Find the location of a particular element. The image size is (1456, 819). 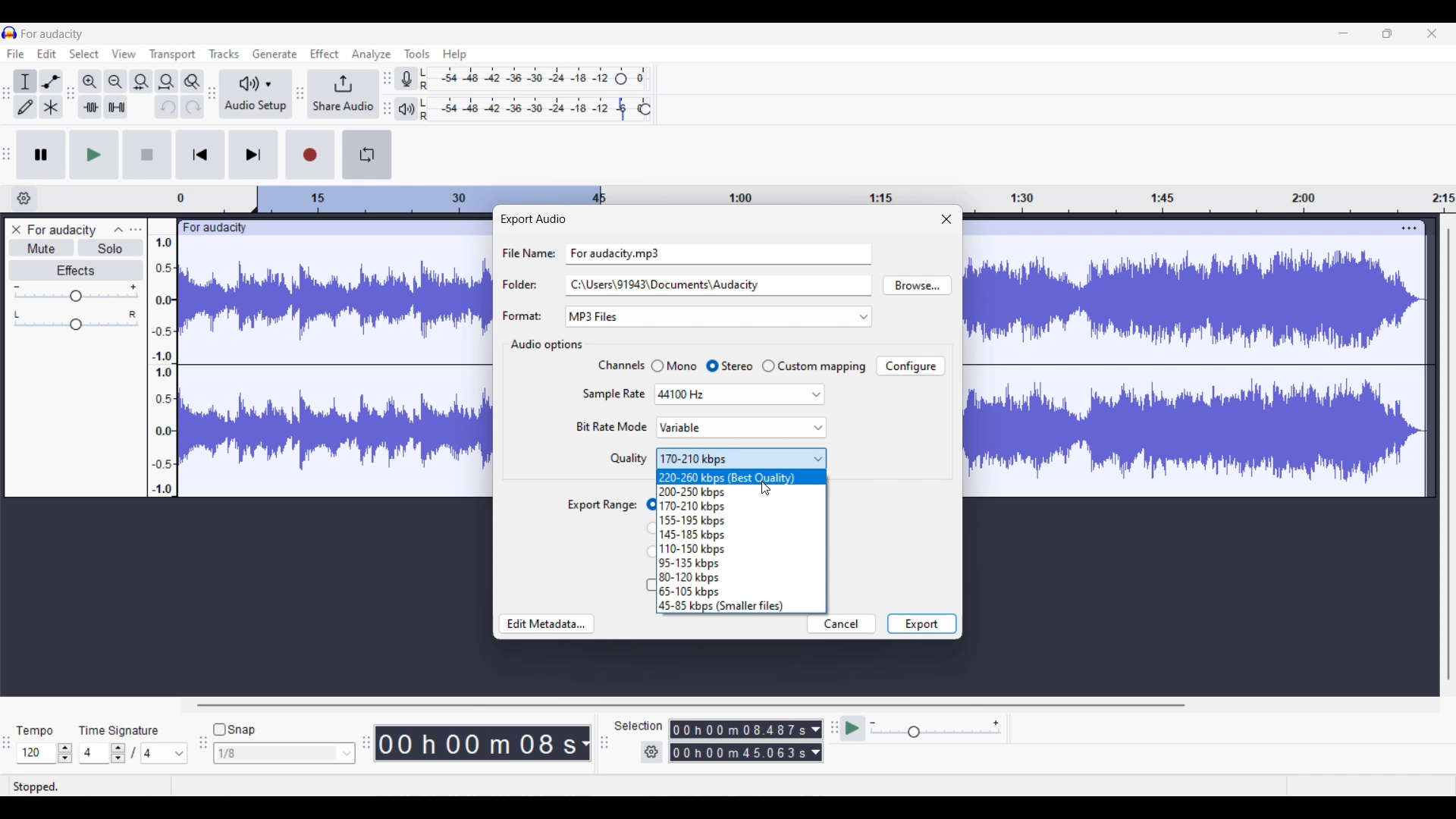

Scale to measure intensty if sound is located at coordinates (162, 366).